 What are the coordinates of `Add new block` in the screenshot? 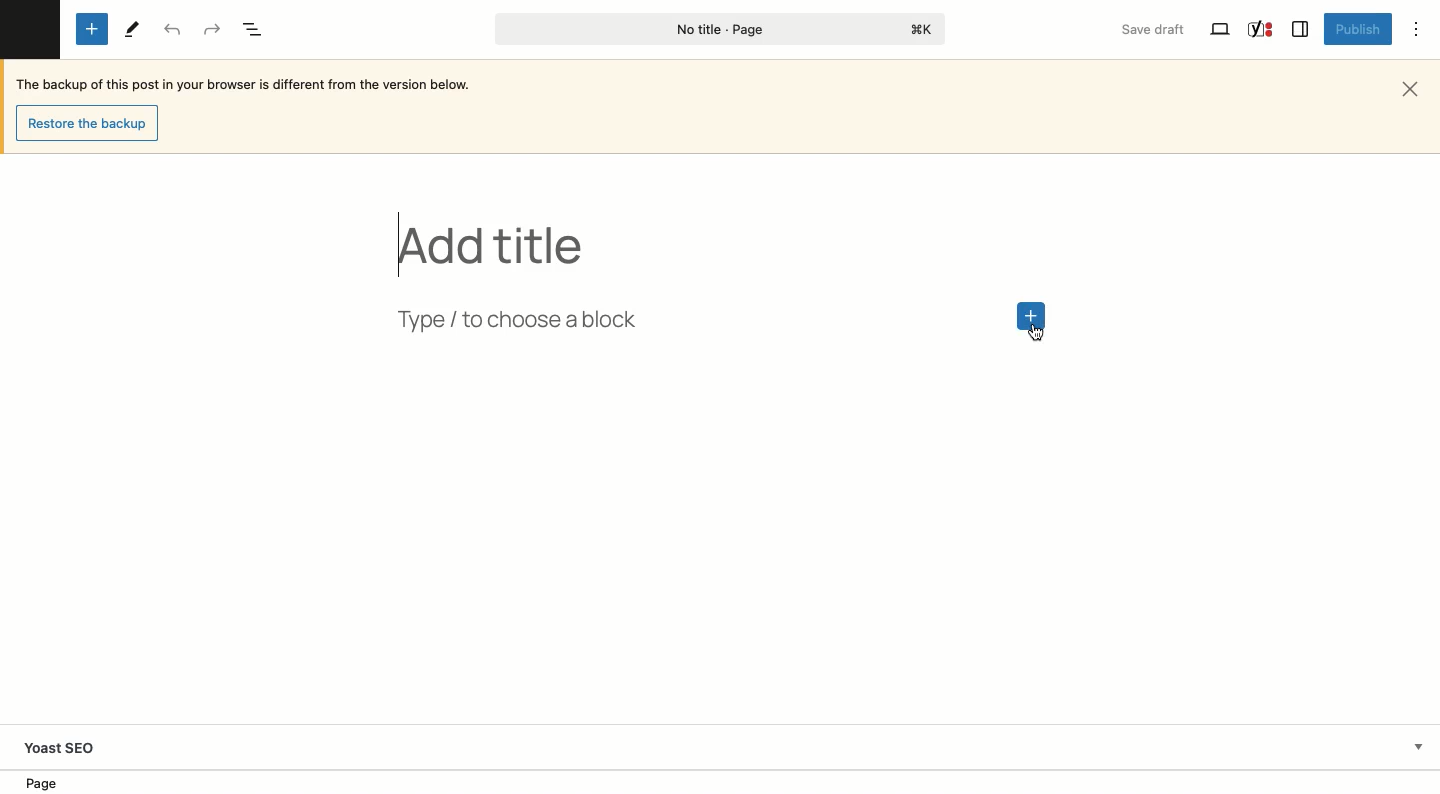 It's located at (92, 30).